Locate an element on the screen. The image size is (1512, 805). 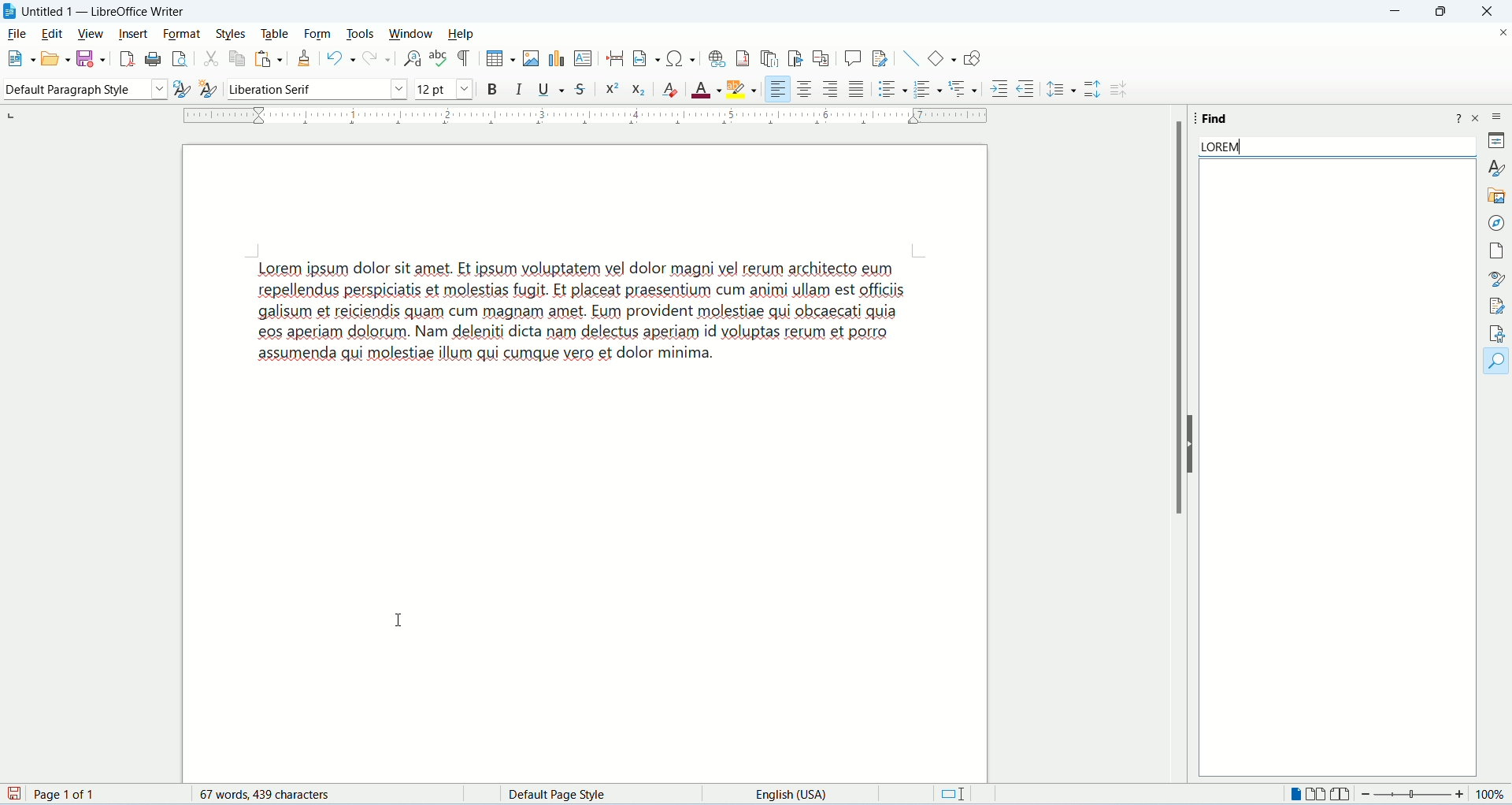
increase indent is located at coordinates (998, 89).